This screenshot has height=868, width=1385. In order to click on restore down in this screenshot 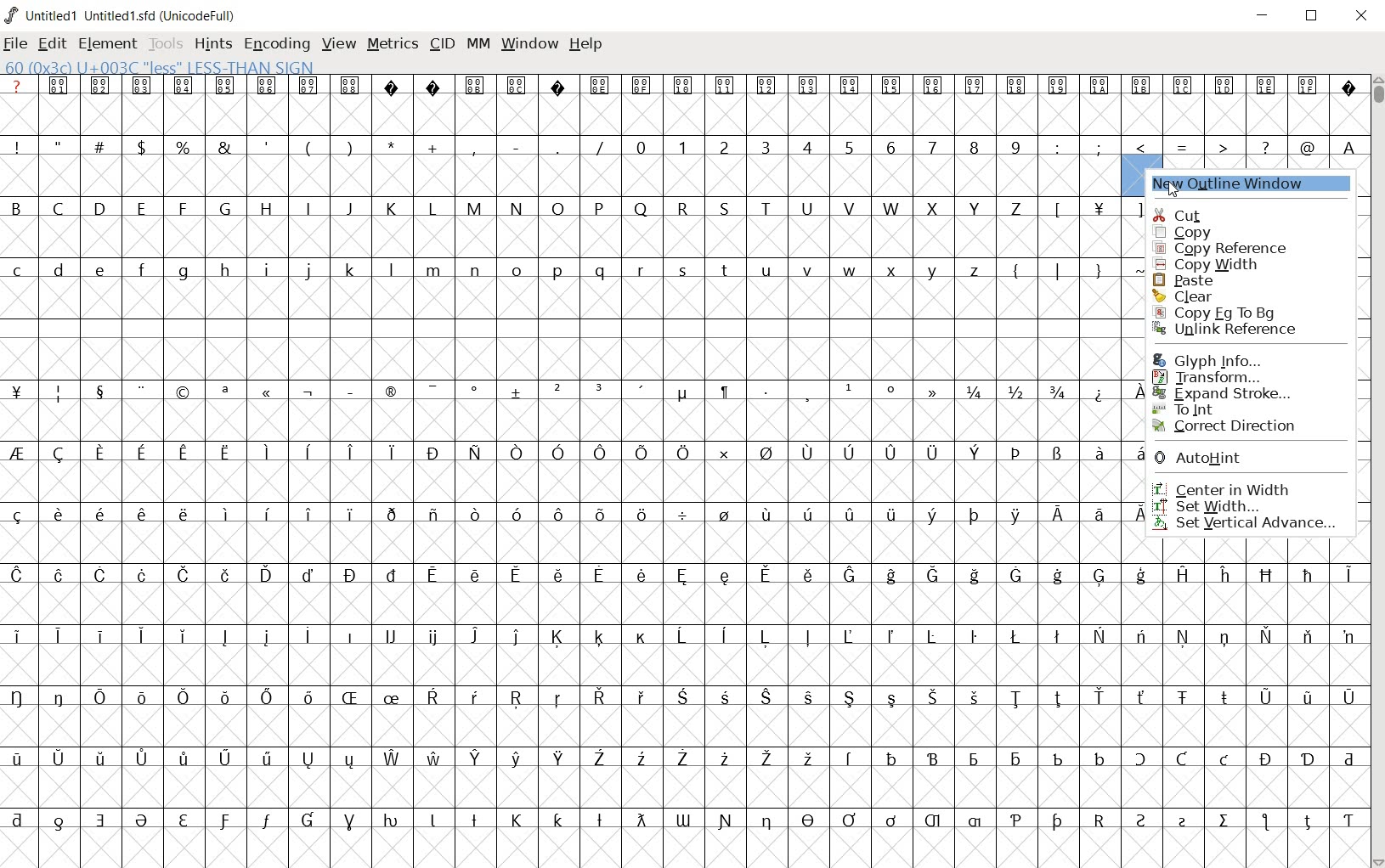, I will do `click(1313, 15)`.